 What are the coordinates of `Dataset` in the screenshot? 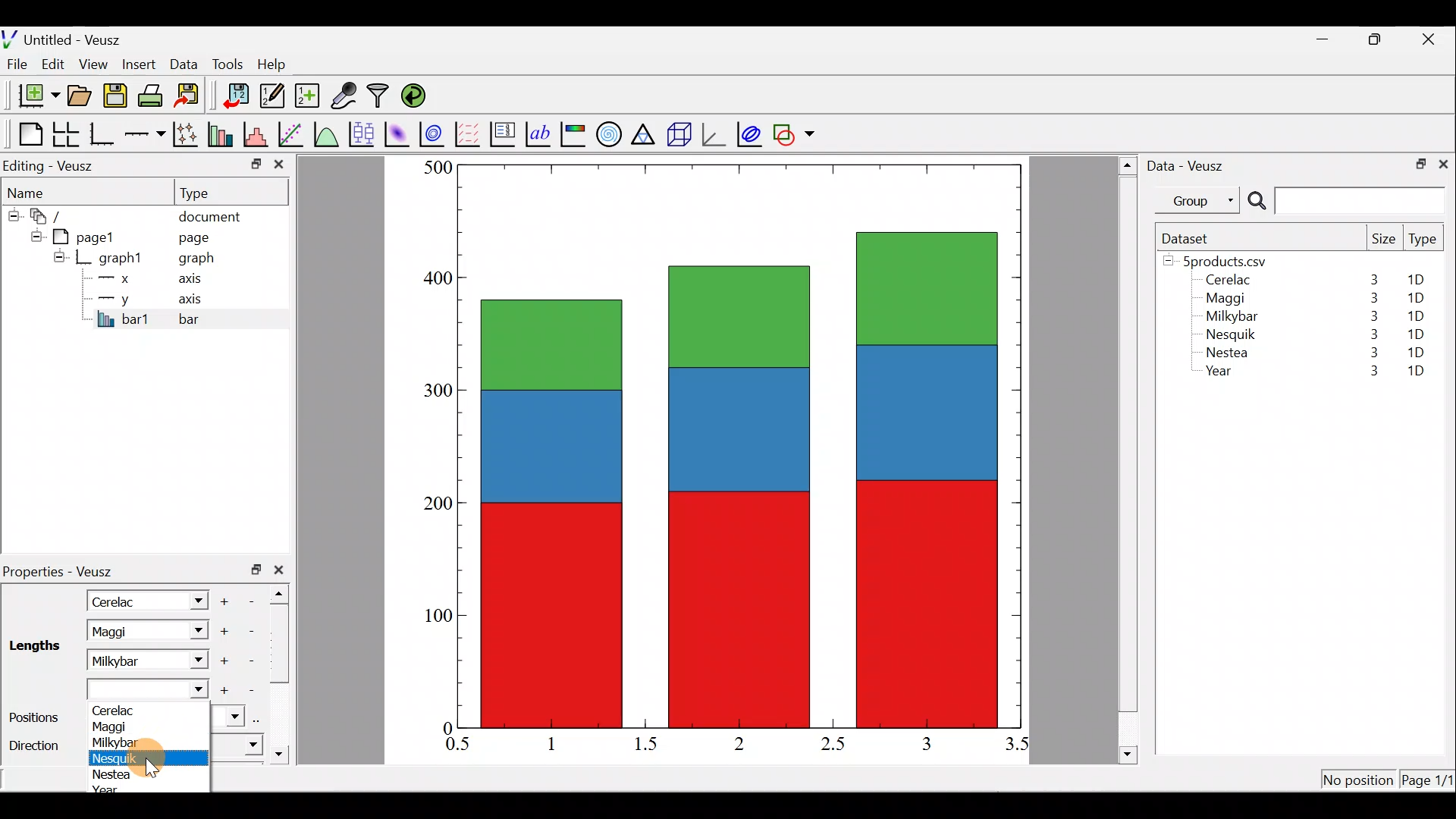 It's located at (1191, 238).